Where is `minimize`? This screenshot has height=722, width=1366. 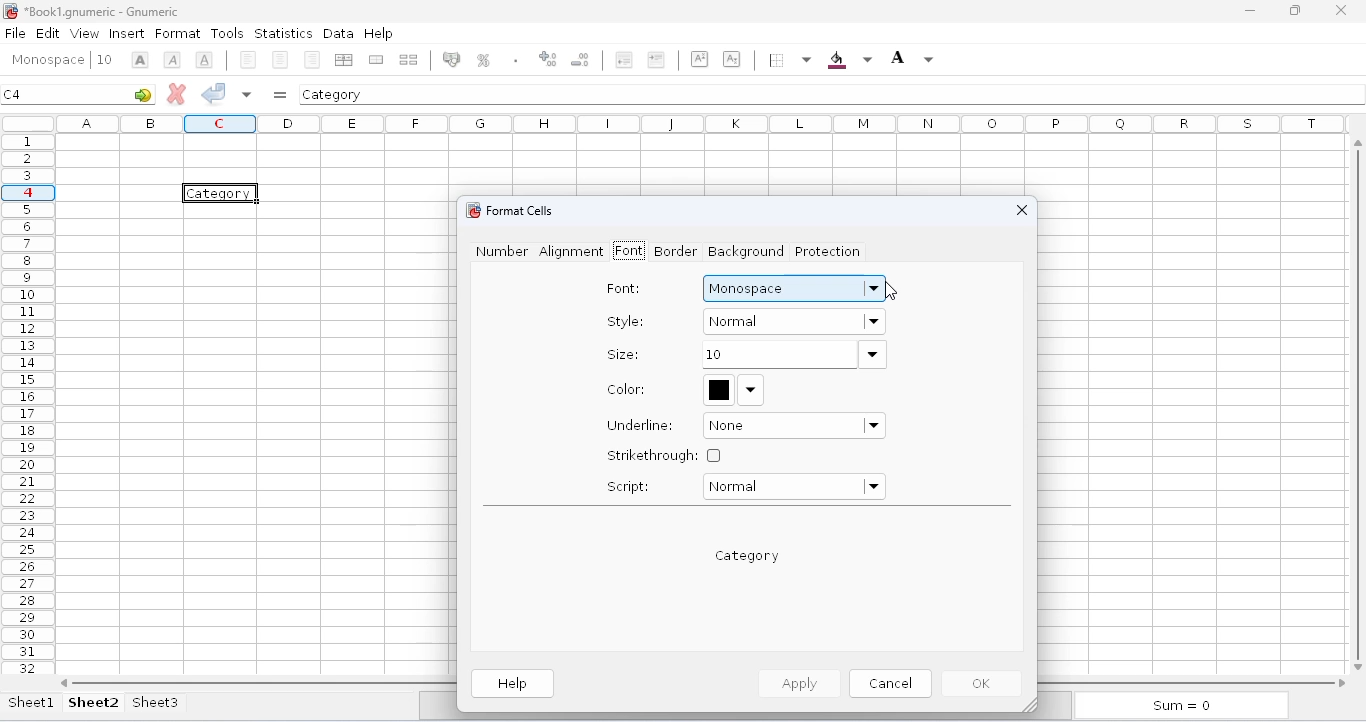
minimize is located at coordinates (1250, 11).